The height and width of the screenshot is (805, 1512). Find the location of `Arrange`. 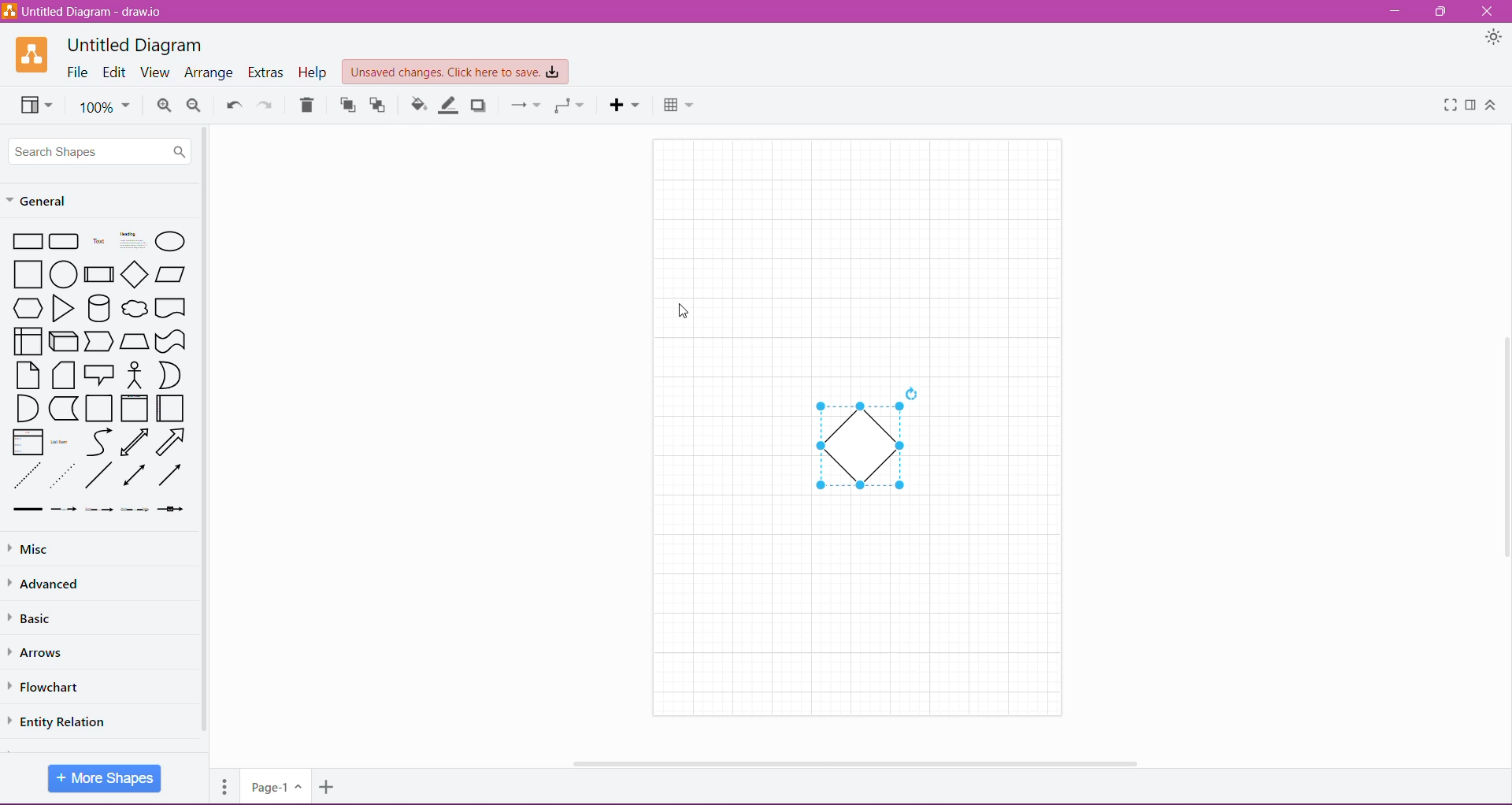

Arrange is located at coordinates (210, 74).